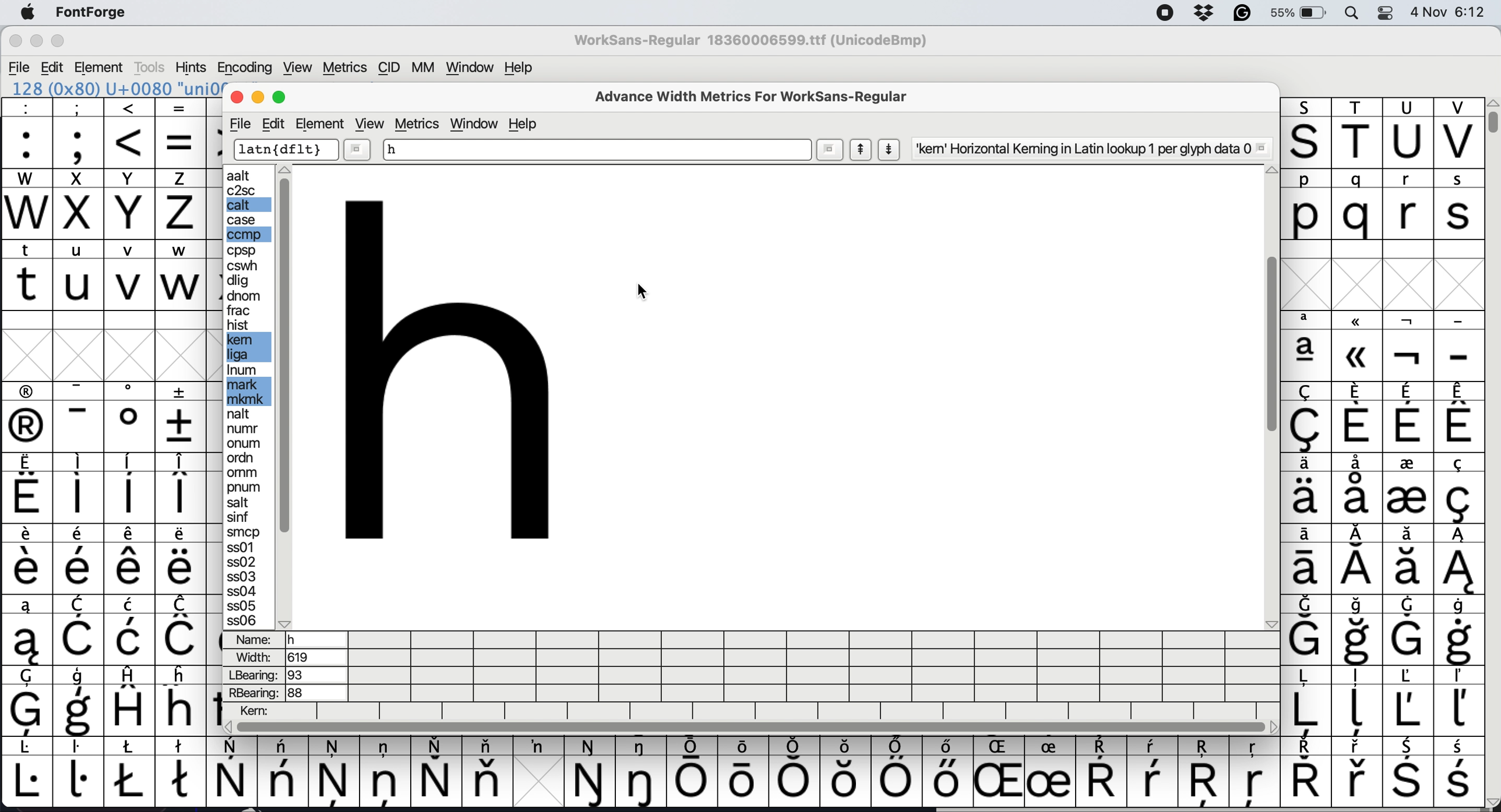 This screenshot has width=1501, height=812. What do you see at coordinates (1165, 15) in the screenshot?
I see `screen recorder` at bounding box center [1165, 15].